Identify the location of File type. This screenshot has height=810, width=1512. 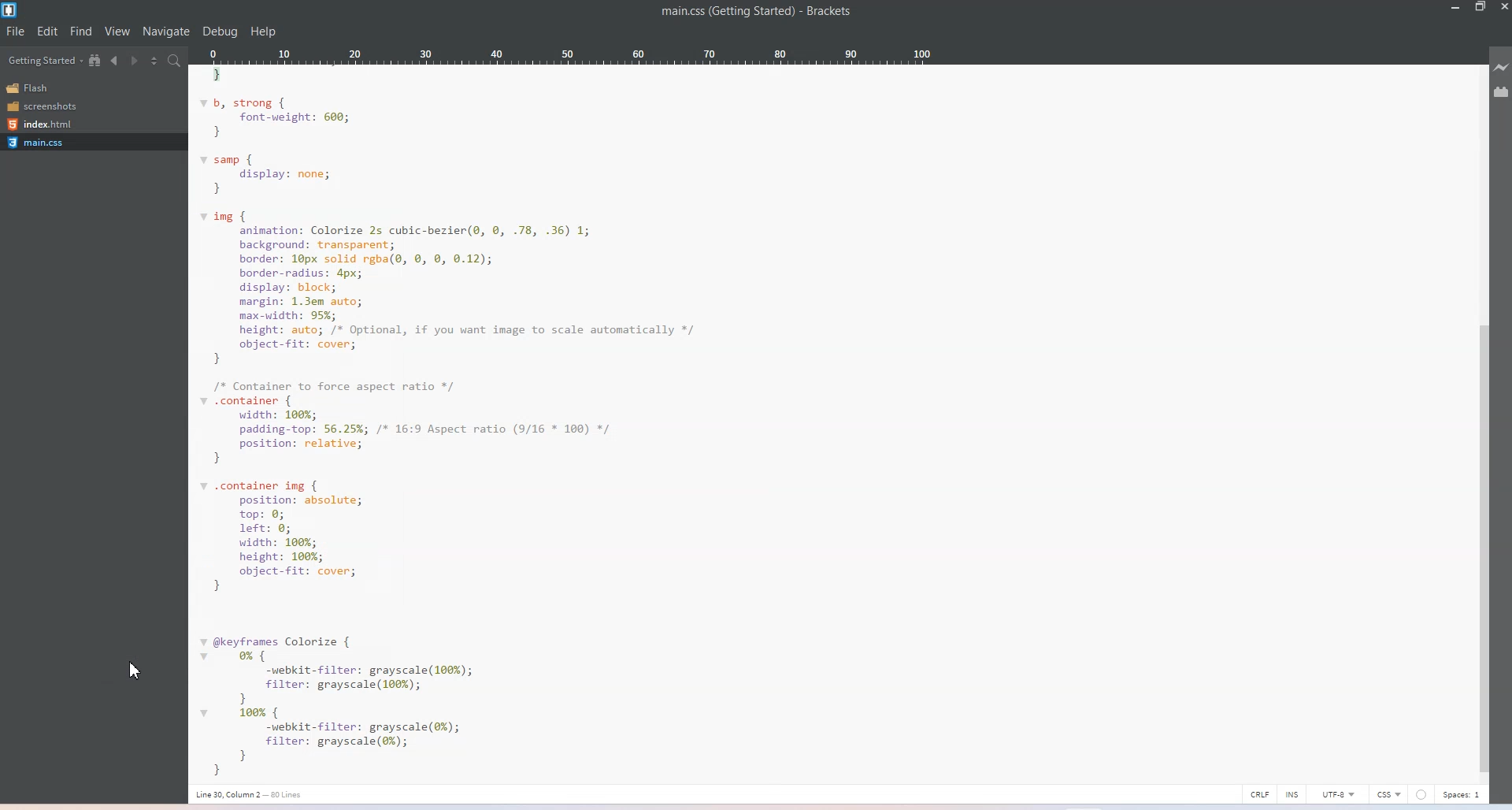
(1389, 795).